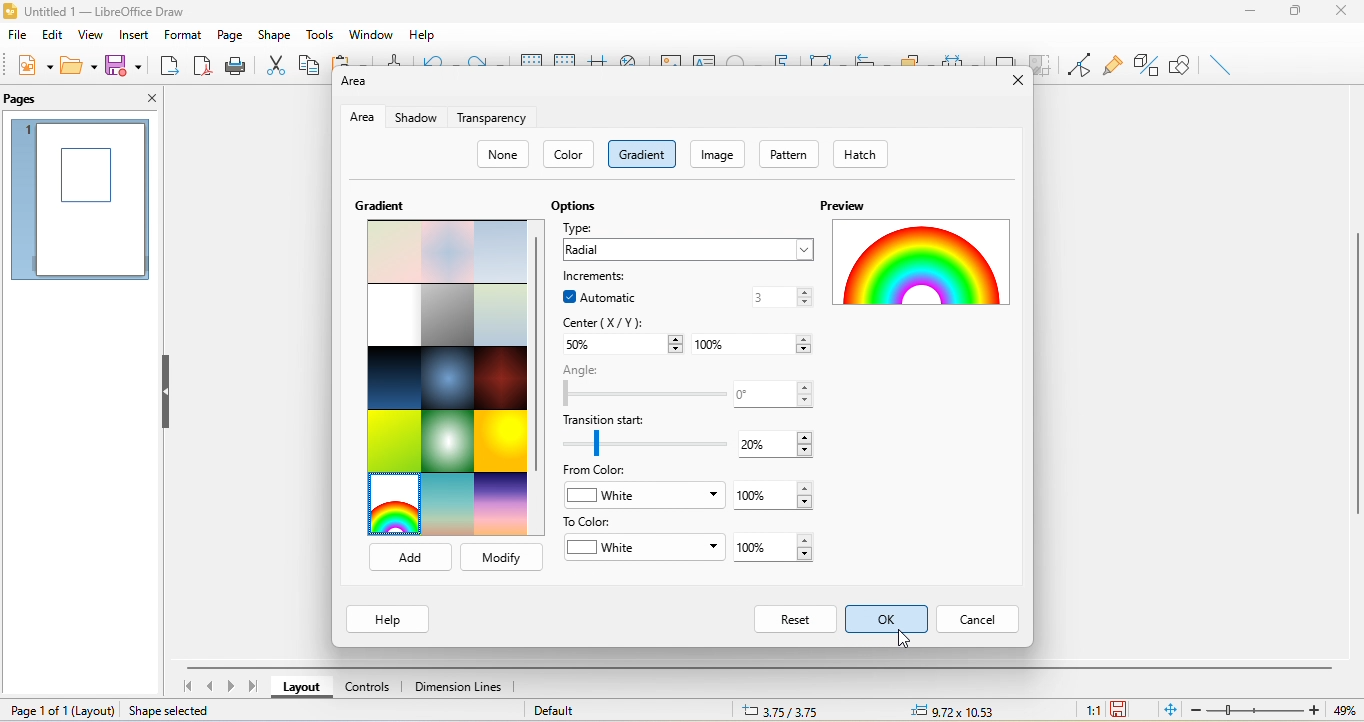 This screenshot has height=722, width=1364. I want to click on vertical scroll bar, so click(1355, 381).